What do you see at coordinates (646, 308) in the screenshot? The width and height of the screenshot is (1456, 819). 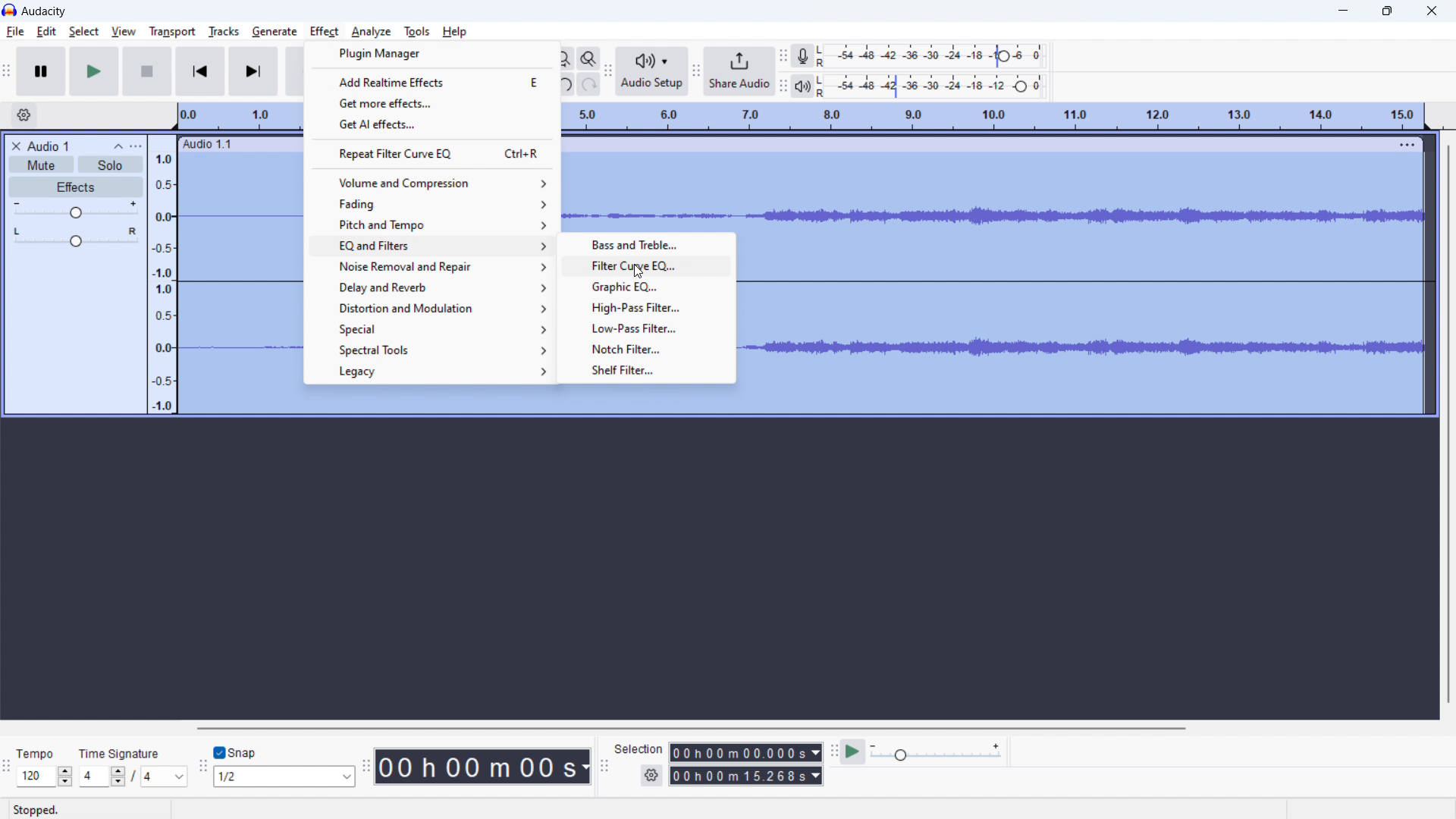 I see `high pass filter` at bounding box center [646, 308].